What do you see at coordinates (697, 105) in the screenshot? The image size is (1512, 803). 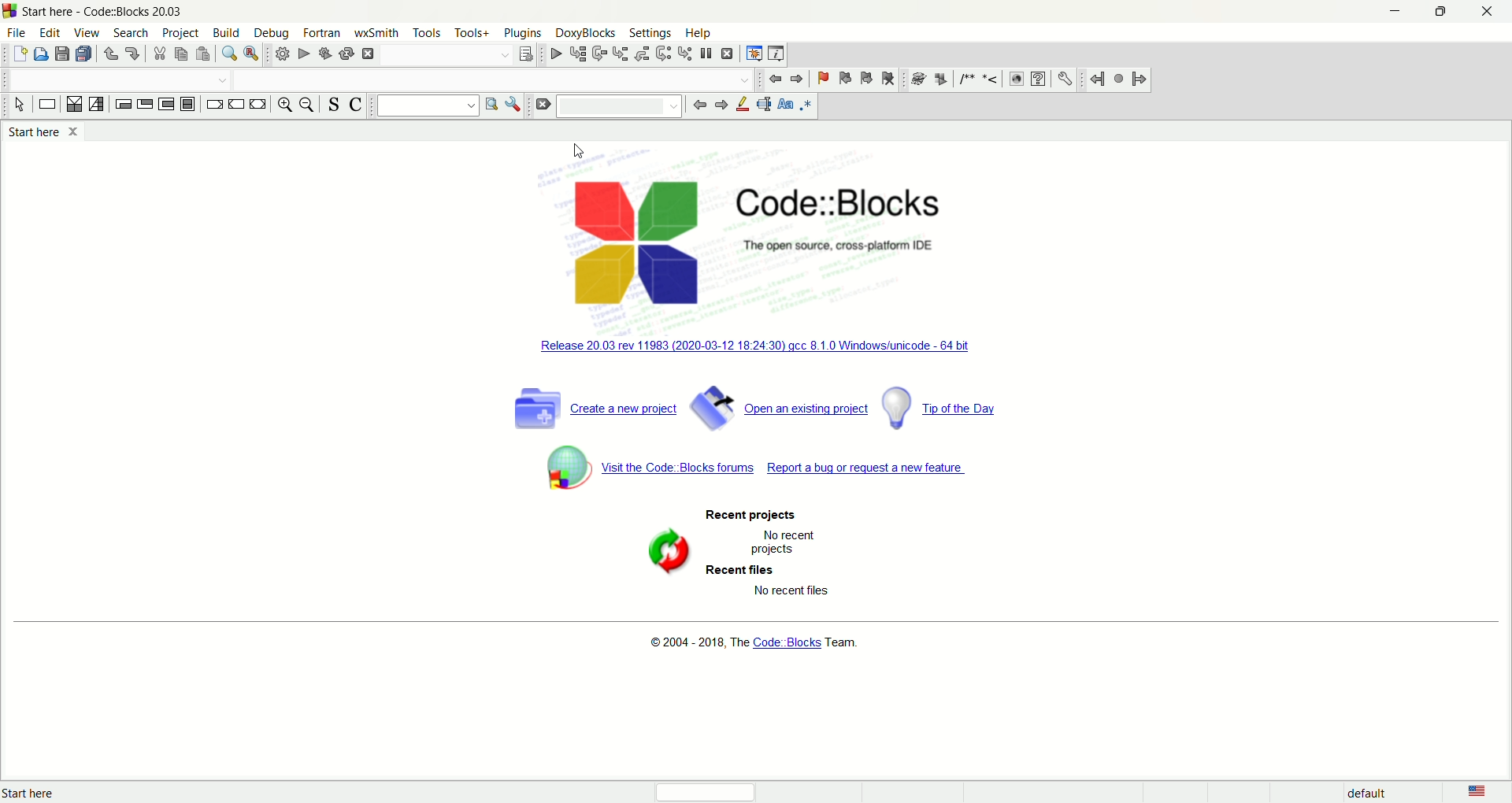 I see `go back` at bounding box center [697, 105].